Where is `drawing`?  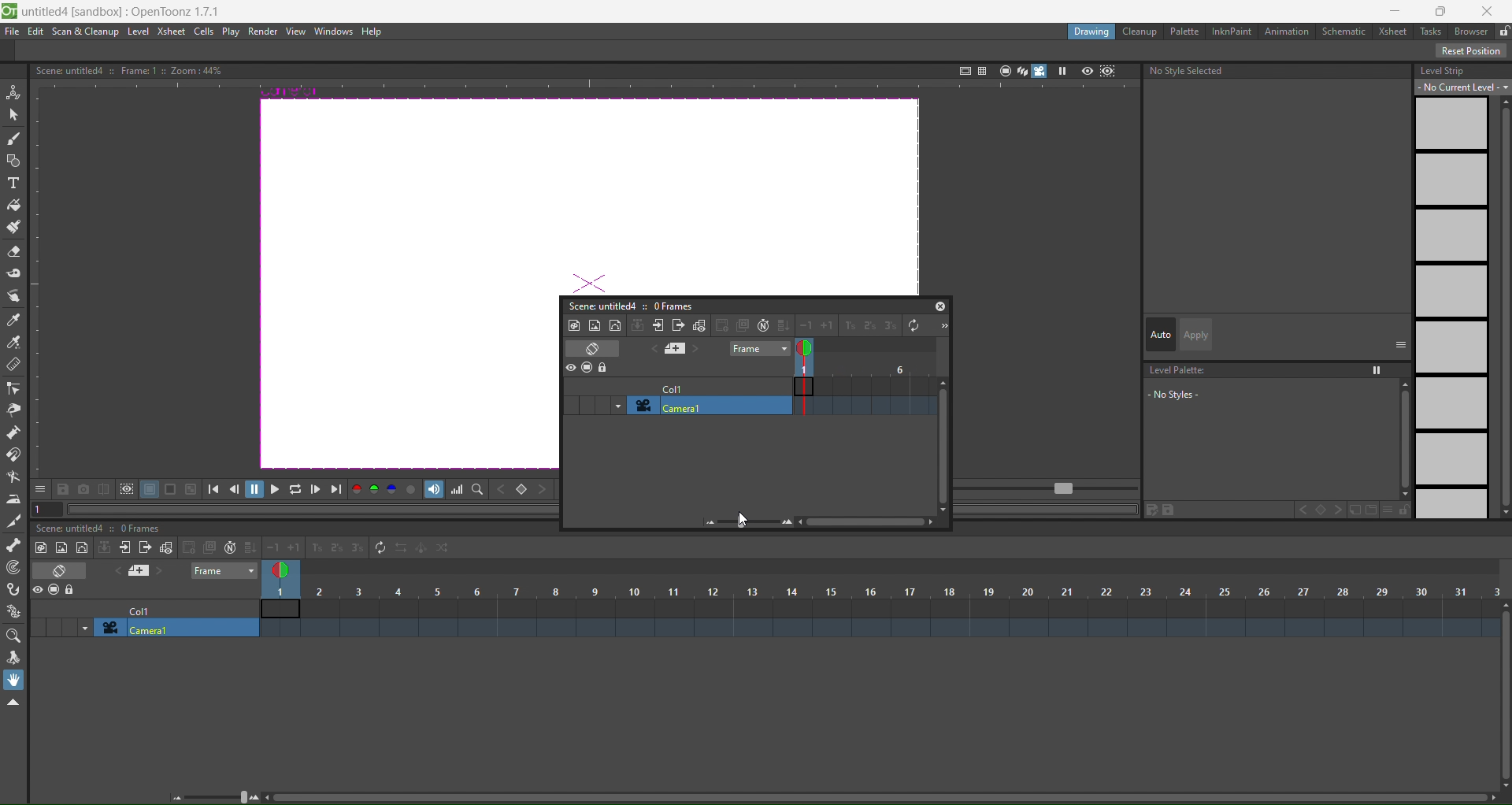 drawing is located at coordinates (1091, 32).